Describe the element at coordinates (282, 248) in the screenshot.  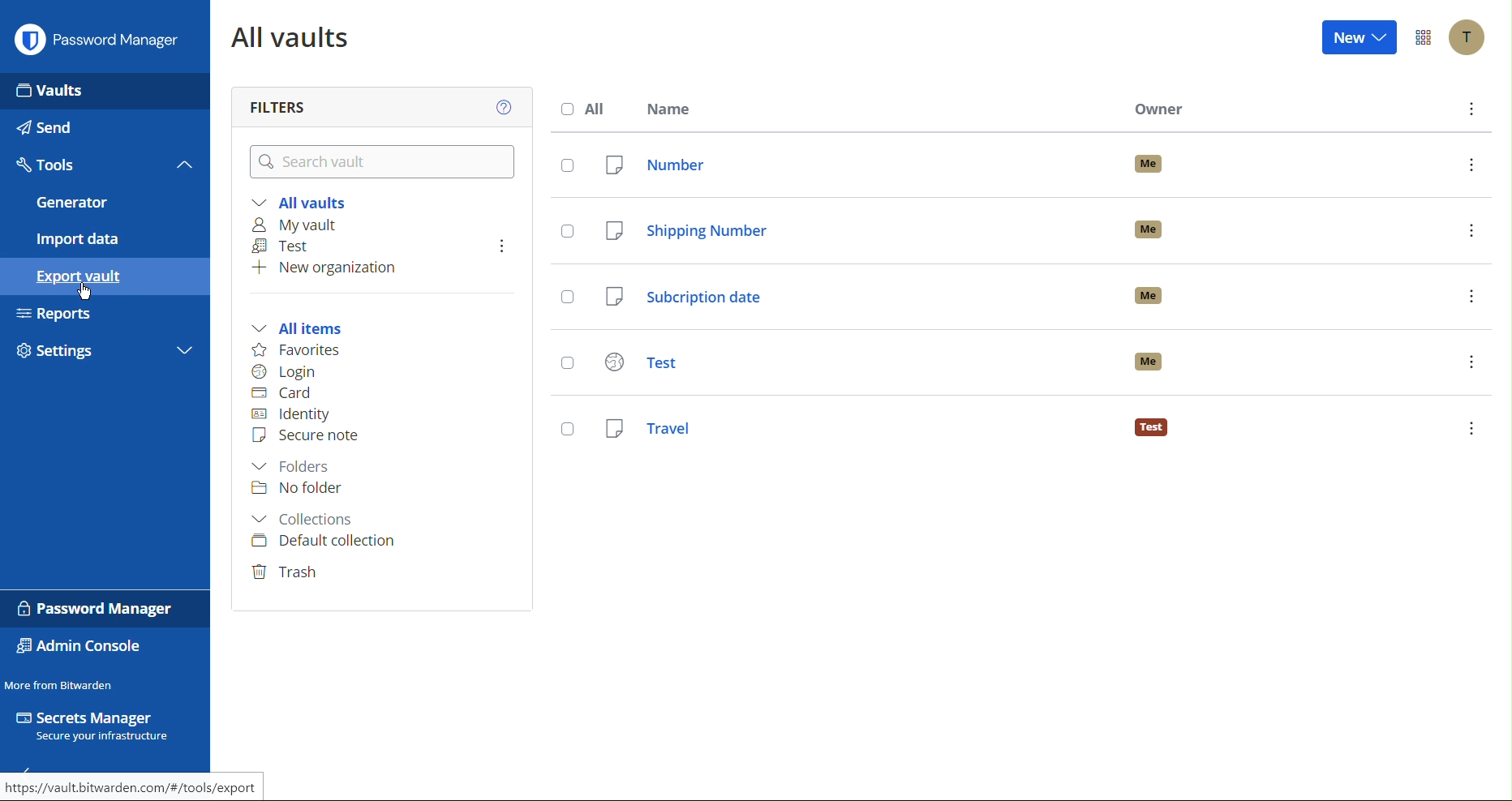
I see `Test` at that location.